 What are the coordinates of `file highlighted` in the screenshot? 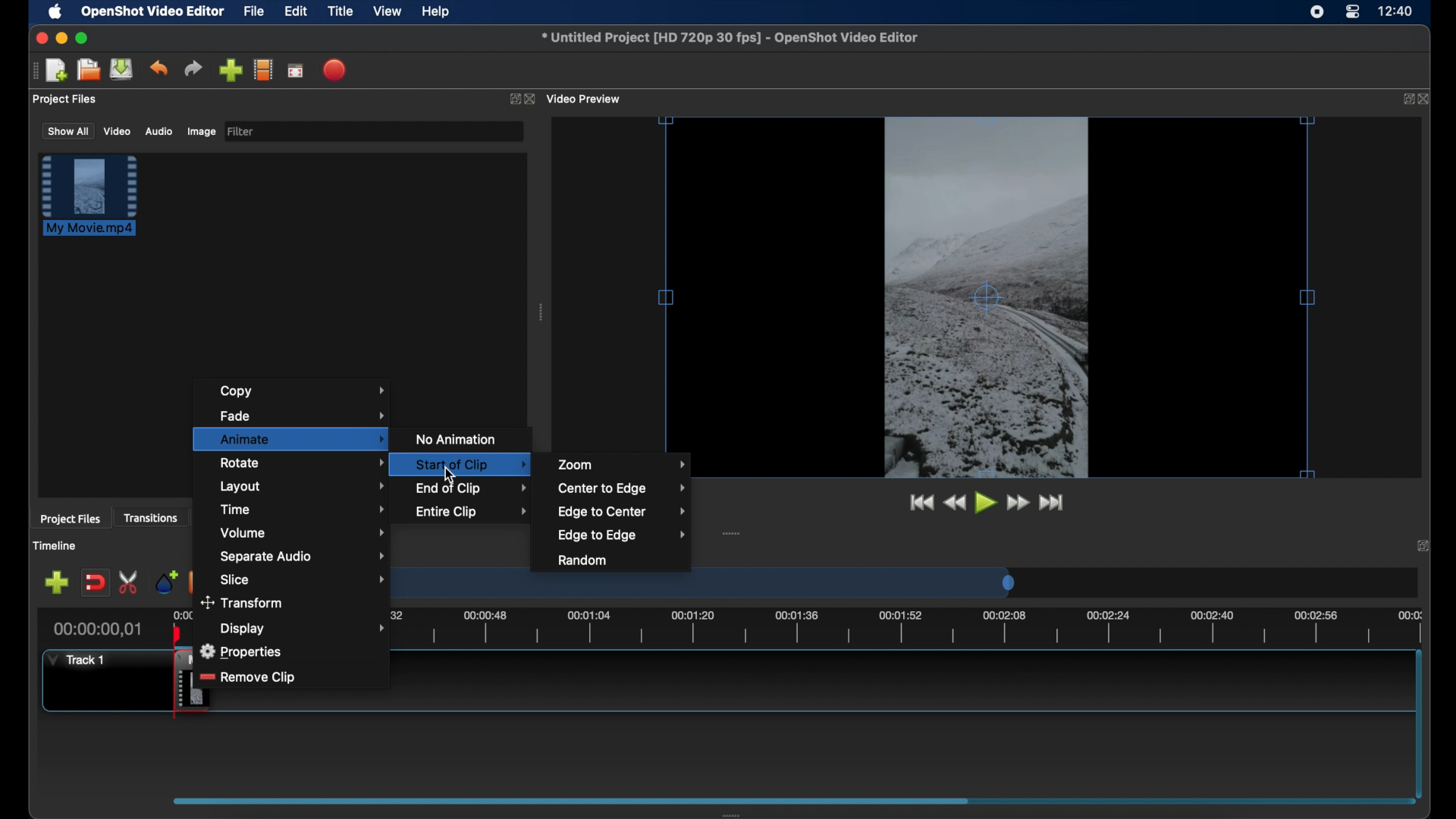 It's located at (89, 195).